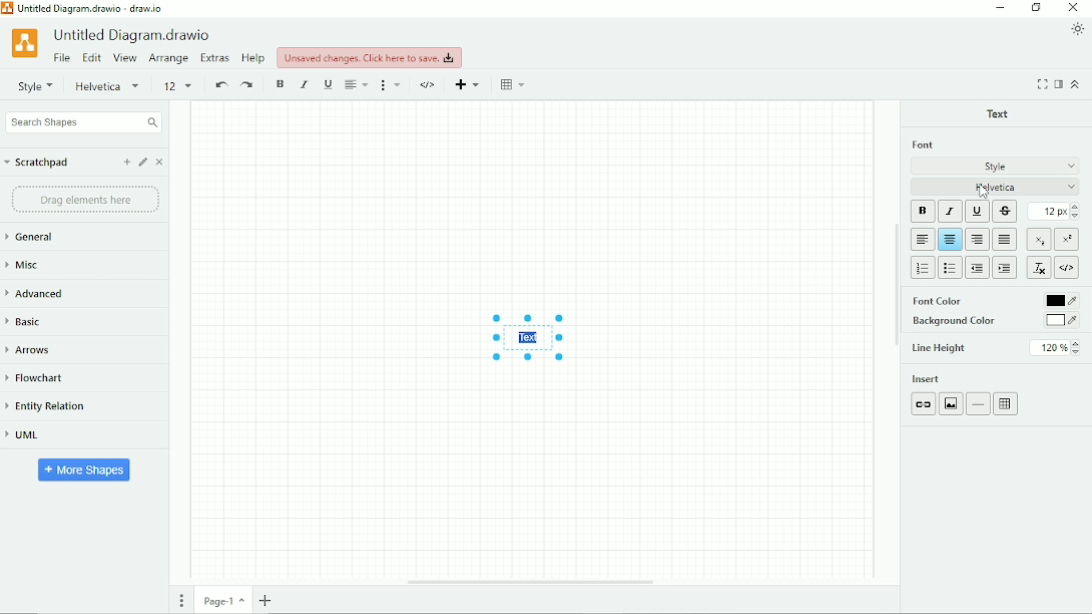  I want to click on Bulleted list, so click(951, 268).